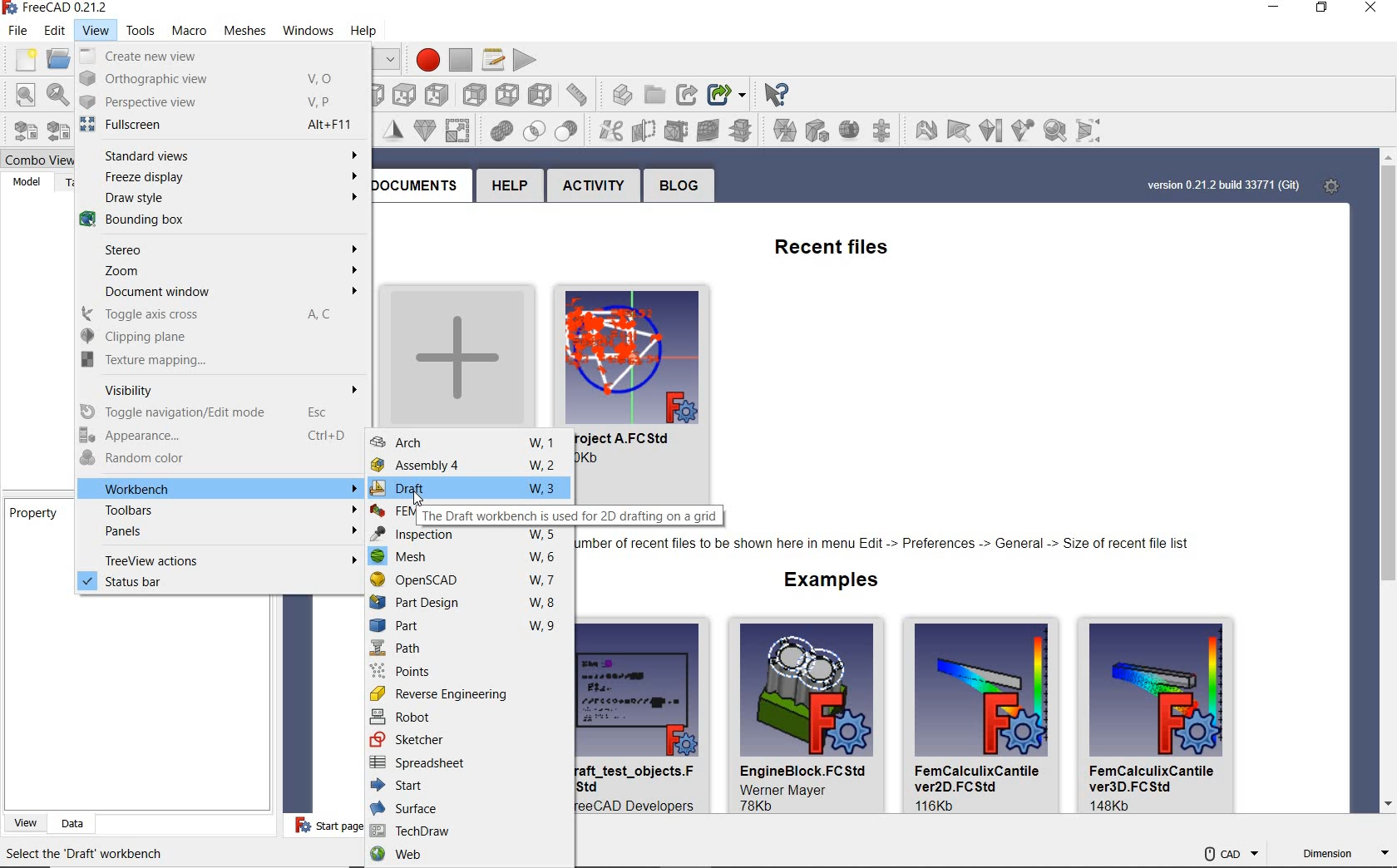  Describe the element at coordinates (1227, 851) in the screenshot. I see `CAD Navigation style` at that location.